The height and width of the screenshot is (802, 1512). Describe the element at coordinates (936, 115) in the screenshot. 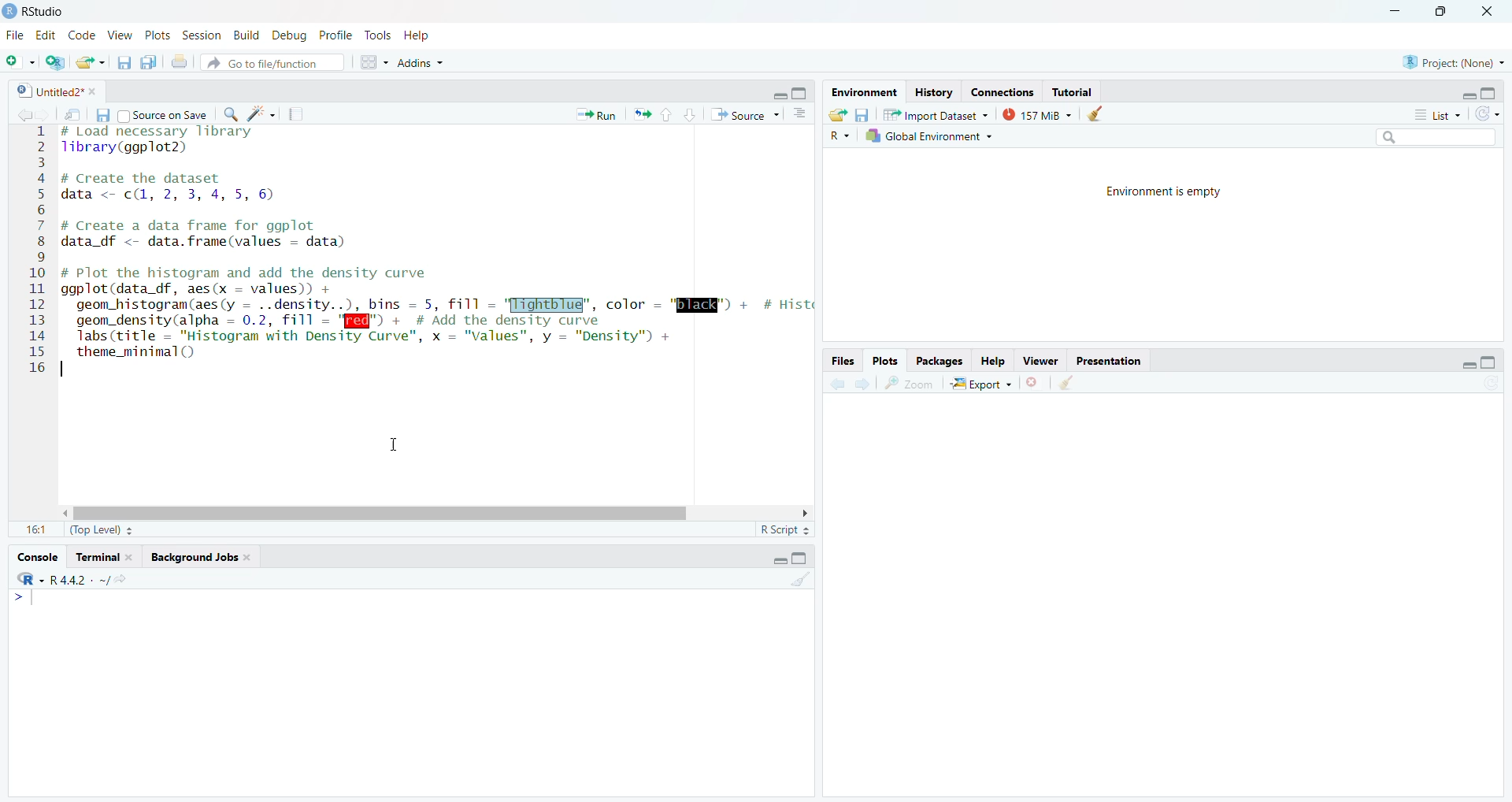

I see `Import Dataset` at that location.